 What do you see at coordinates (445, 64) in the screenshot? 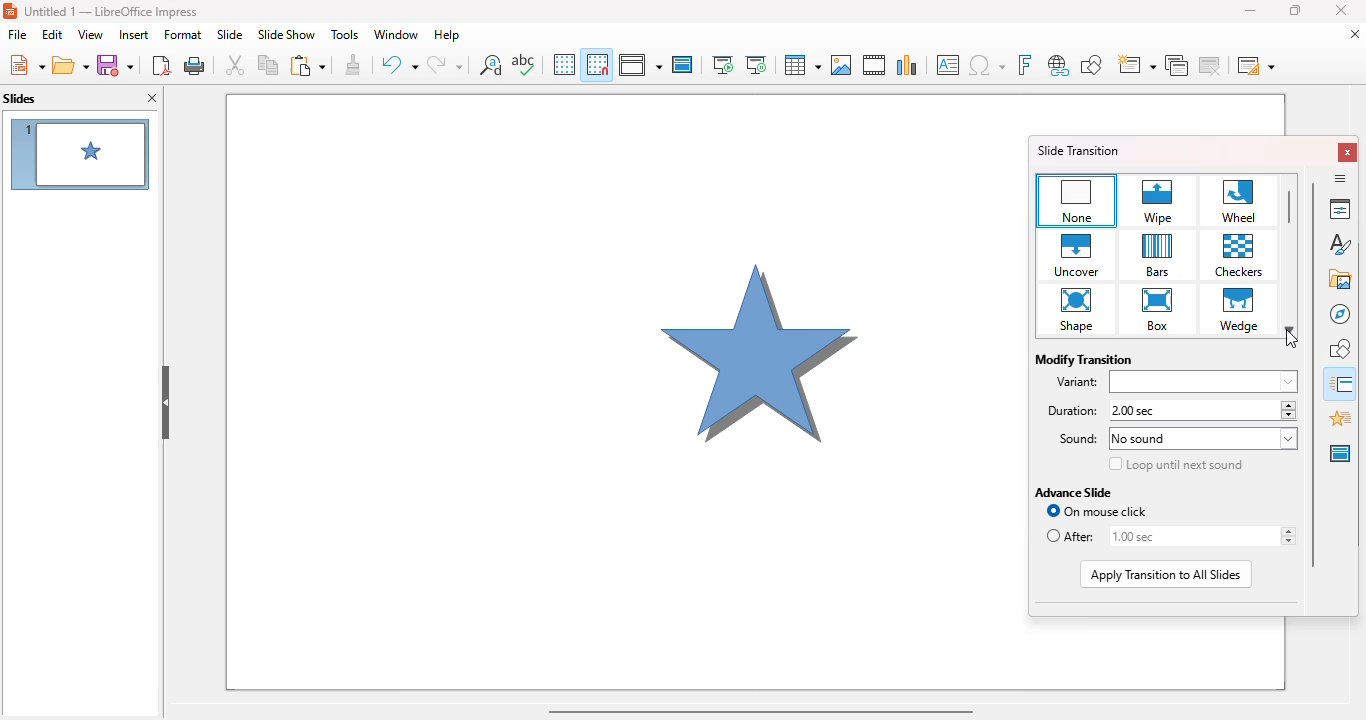
I see `redo` at bounding box center [445, 64].